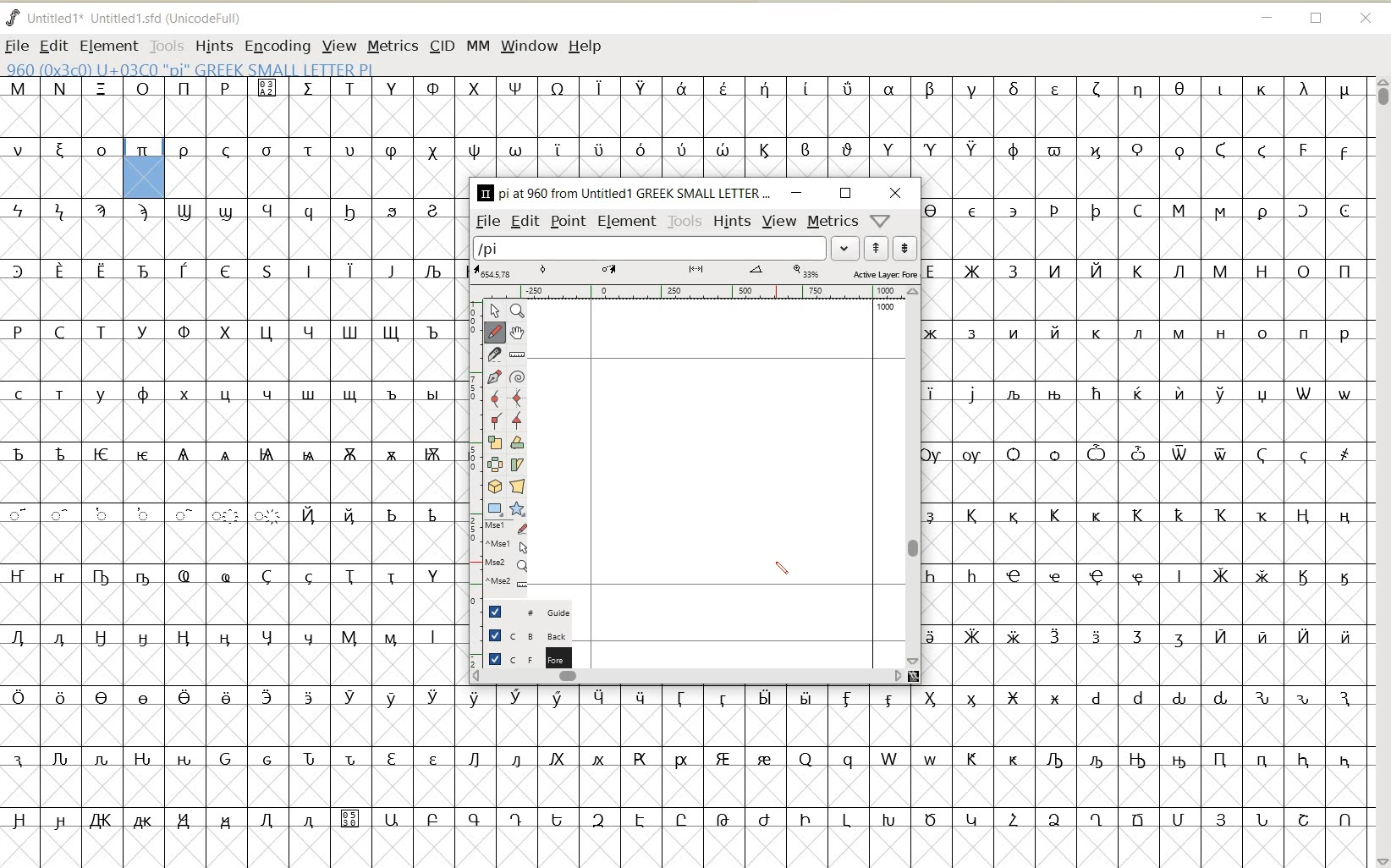 This screenshot has width=1391, height=868. What do you see at coordinates (108, 46) in the screenshot?
I see `ELEMENT` at bounding box center [108, 46].